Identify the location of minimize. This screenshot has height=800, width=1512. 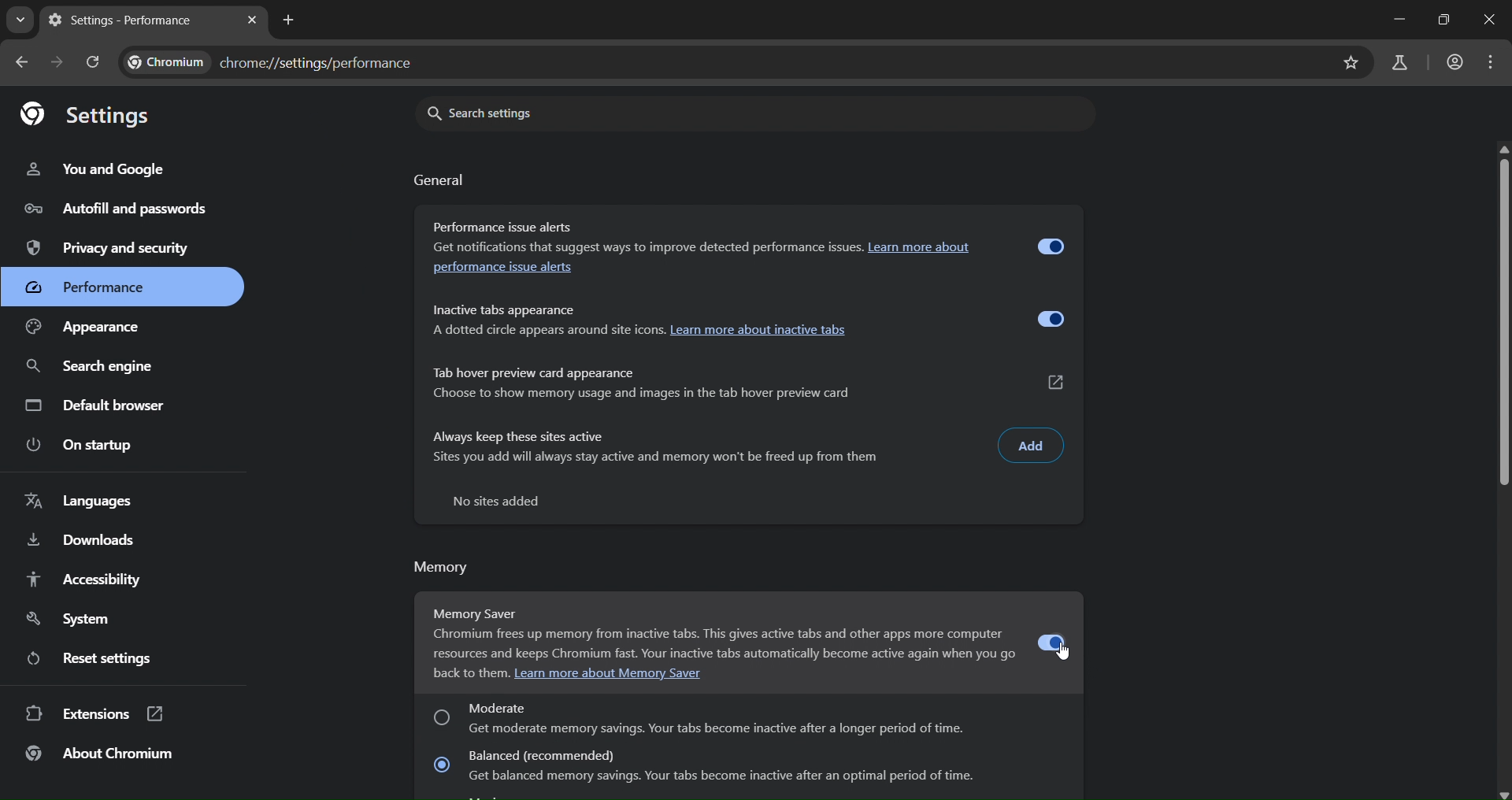
(1397, 20).